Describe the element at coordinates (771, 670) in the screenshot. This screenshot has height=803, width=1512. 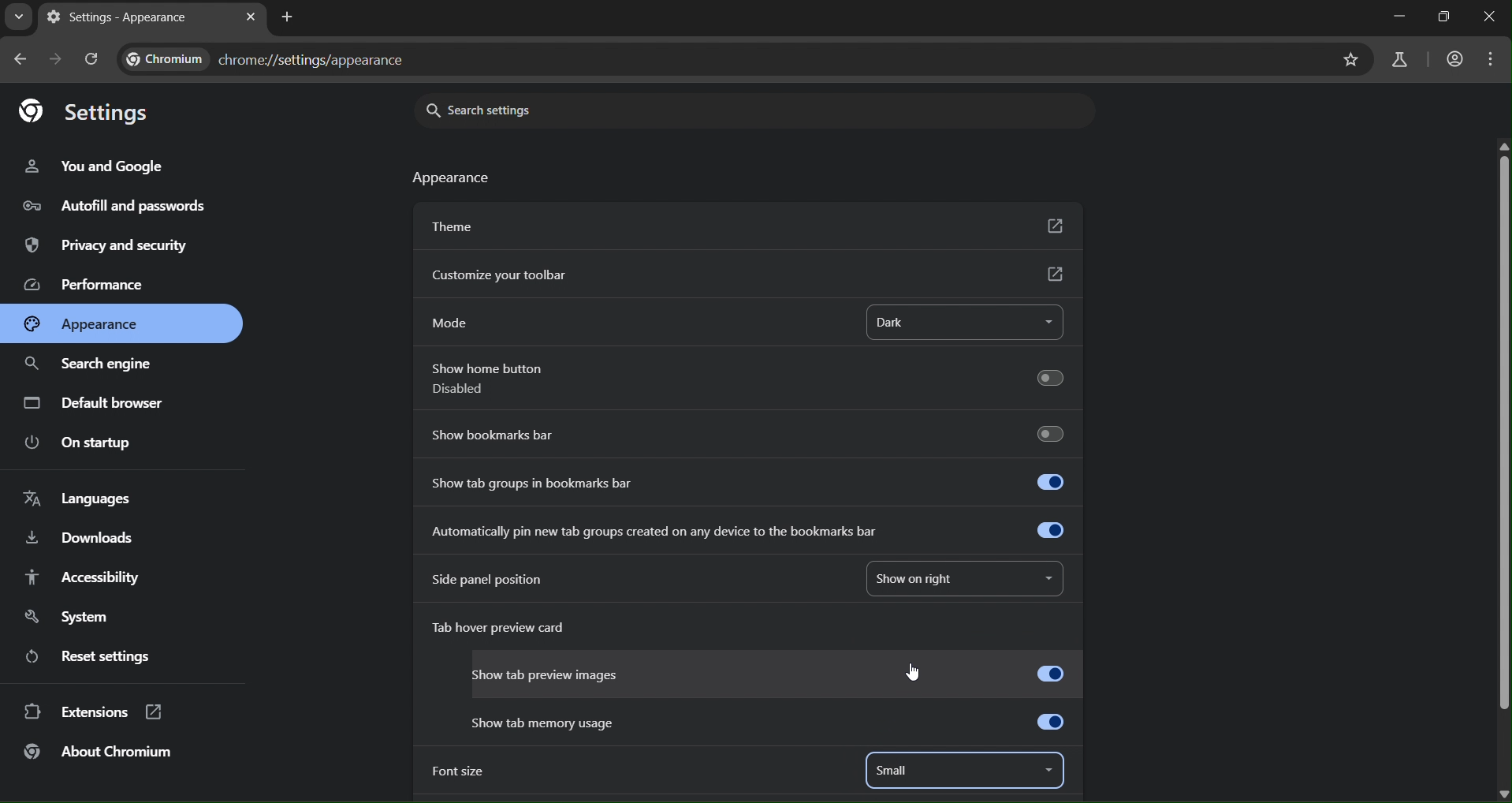
I see `show tab preview images` at that location.